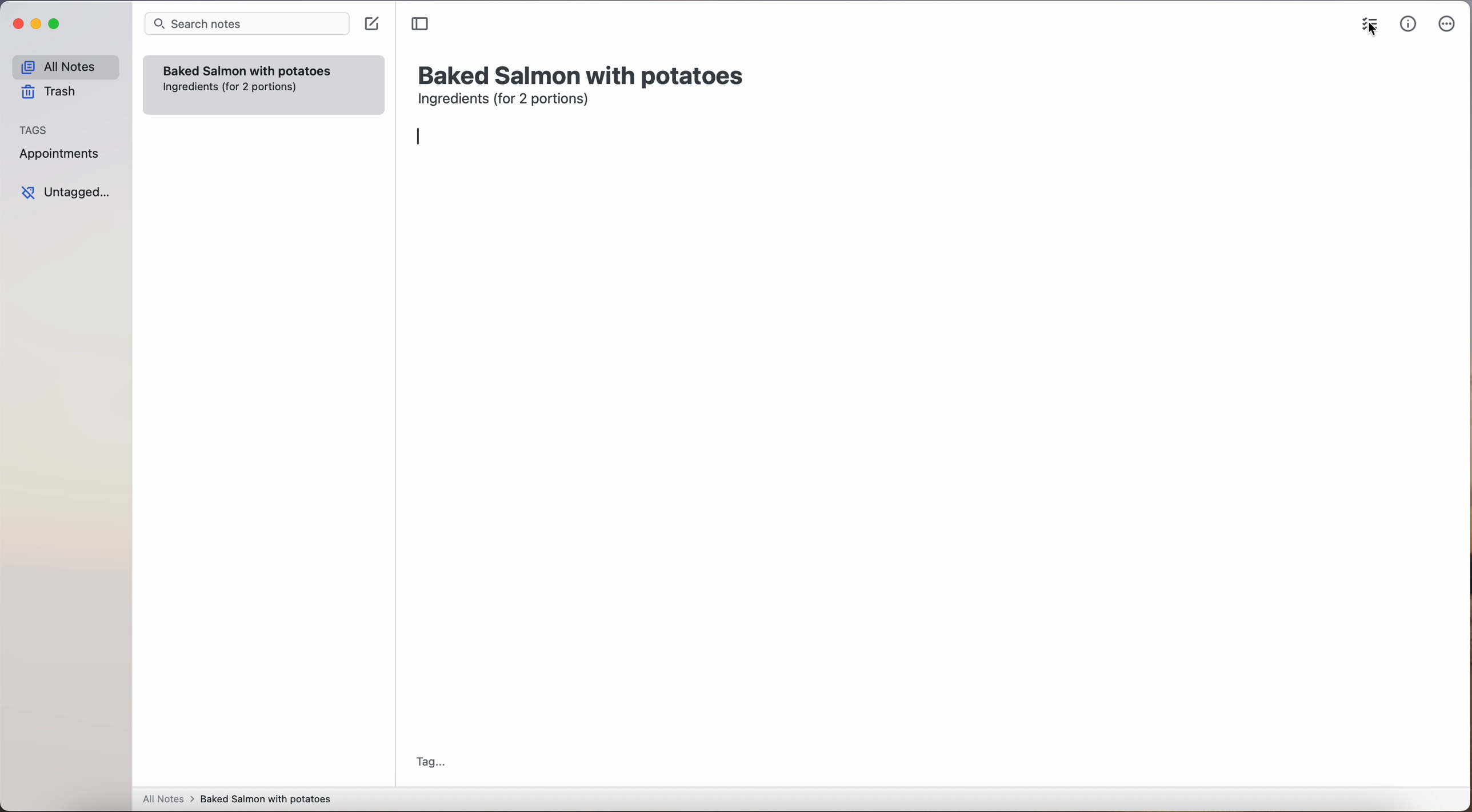 The width and height of the screenshot is (1472, 812). Describe the element at coordinates (231, 87) in the screenshot. I see `ingredientes (for 2 portions)` at that location.